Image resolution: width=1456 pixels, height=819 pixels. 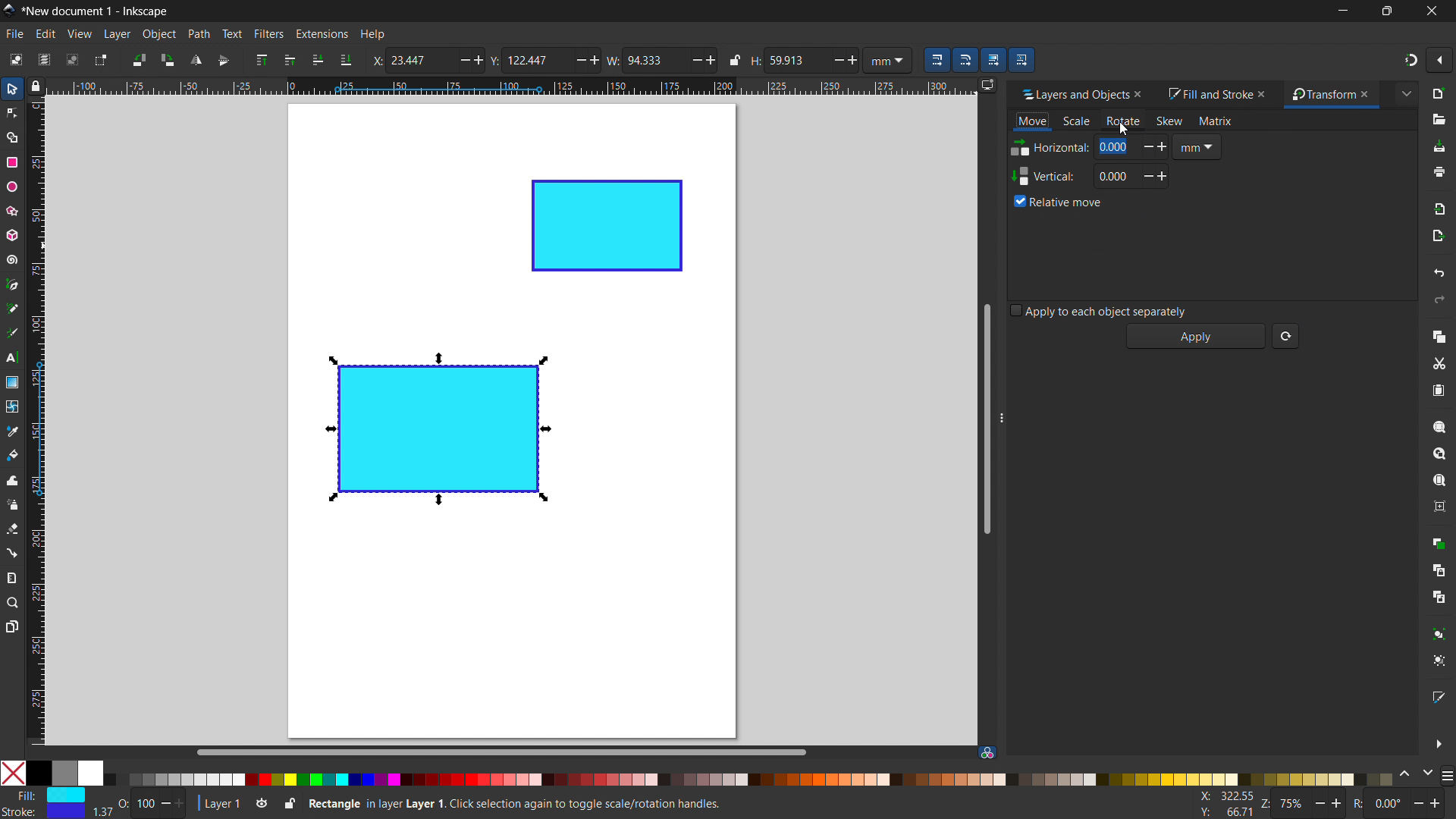 I want to click on undo, so click(x=1439, y=272).